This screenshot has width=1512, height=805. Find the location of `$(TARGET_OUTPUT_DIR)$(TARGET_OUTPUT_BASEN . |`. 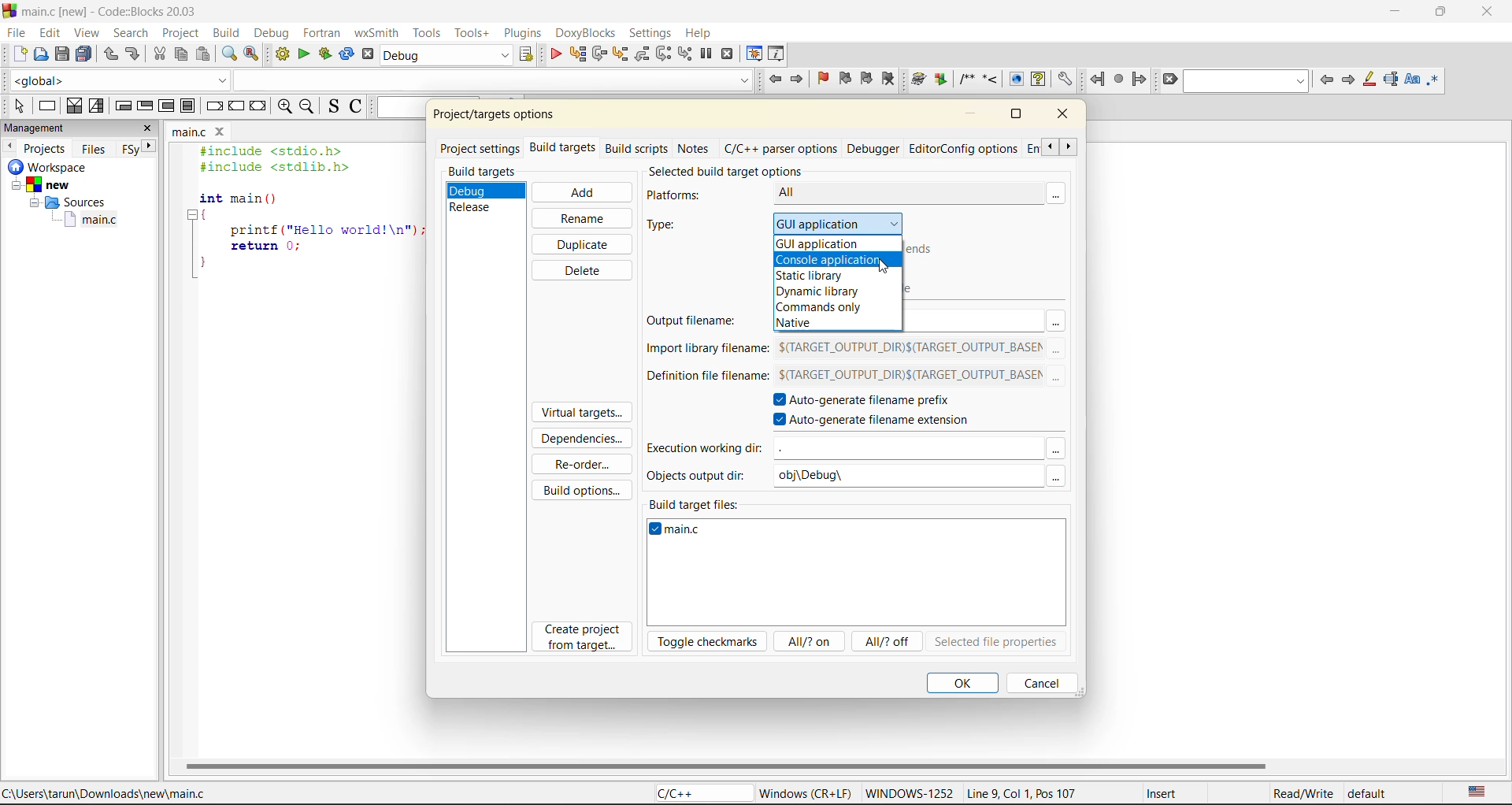

$(TARGET_OUTPUT_DIR)$(TARGET_OUTPUT_BASEN . | is located at coordinates (906, 377).